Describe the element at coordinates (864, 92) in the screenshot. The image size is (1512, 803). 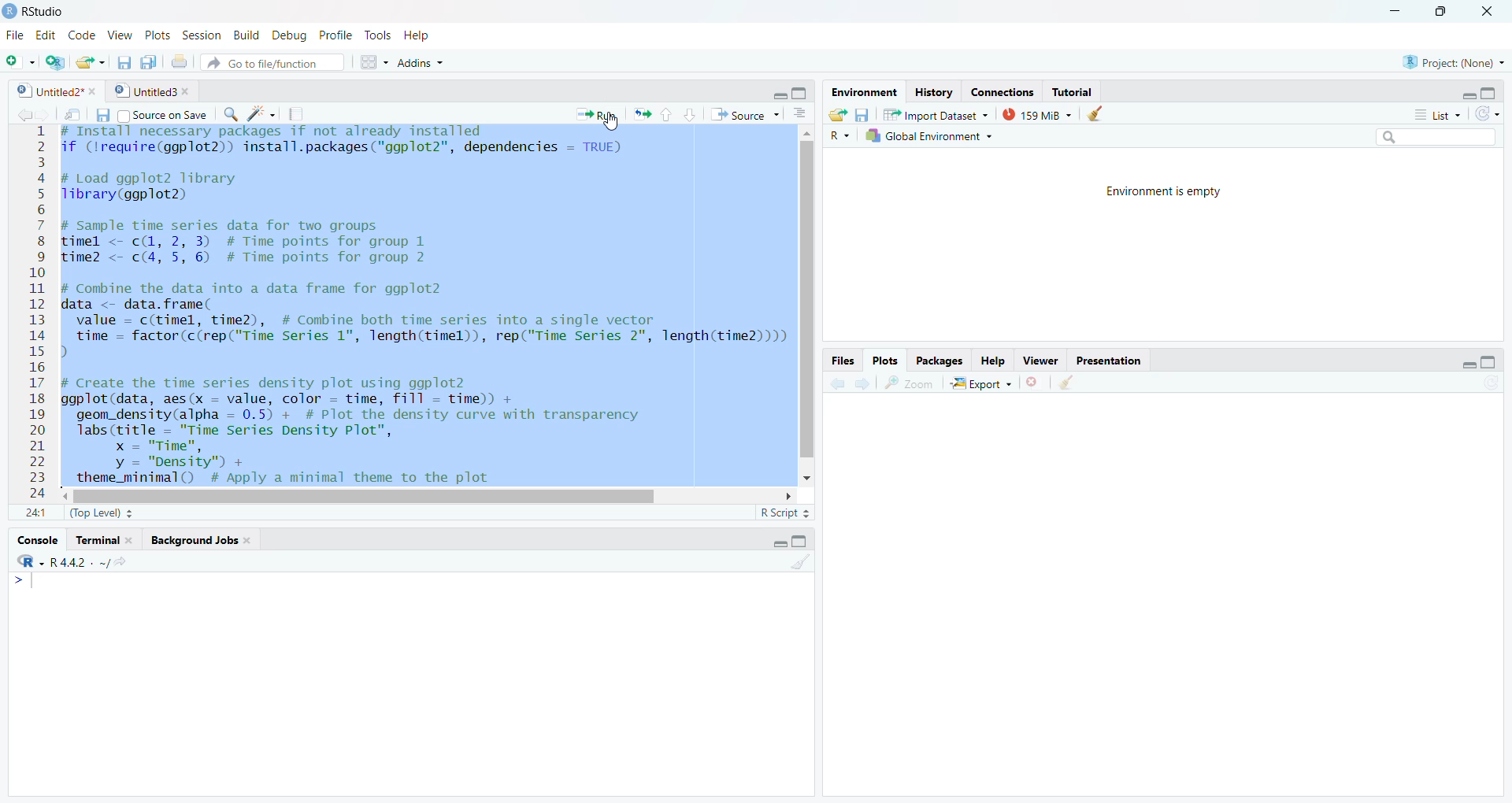
I see `Environment` at that location.